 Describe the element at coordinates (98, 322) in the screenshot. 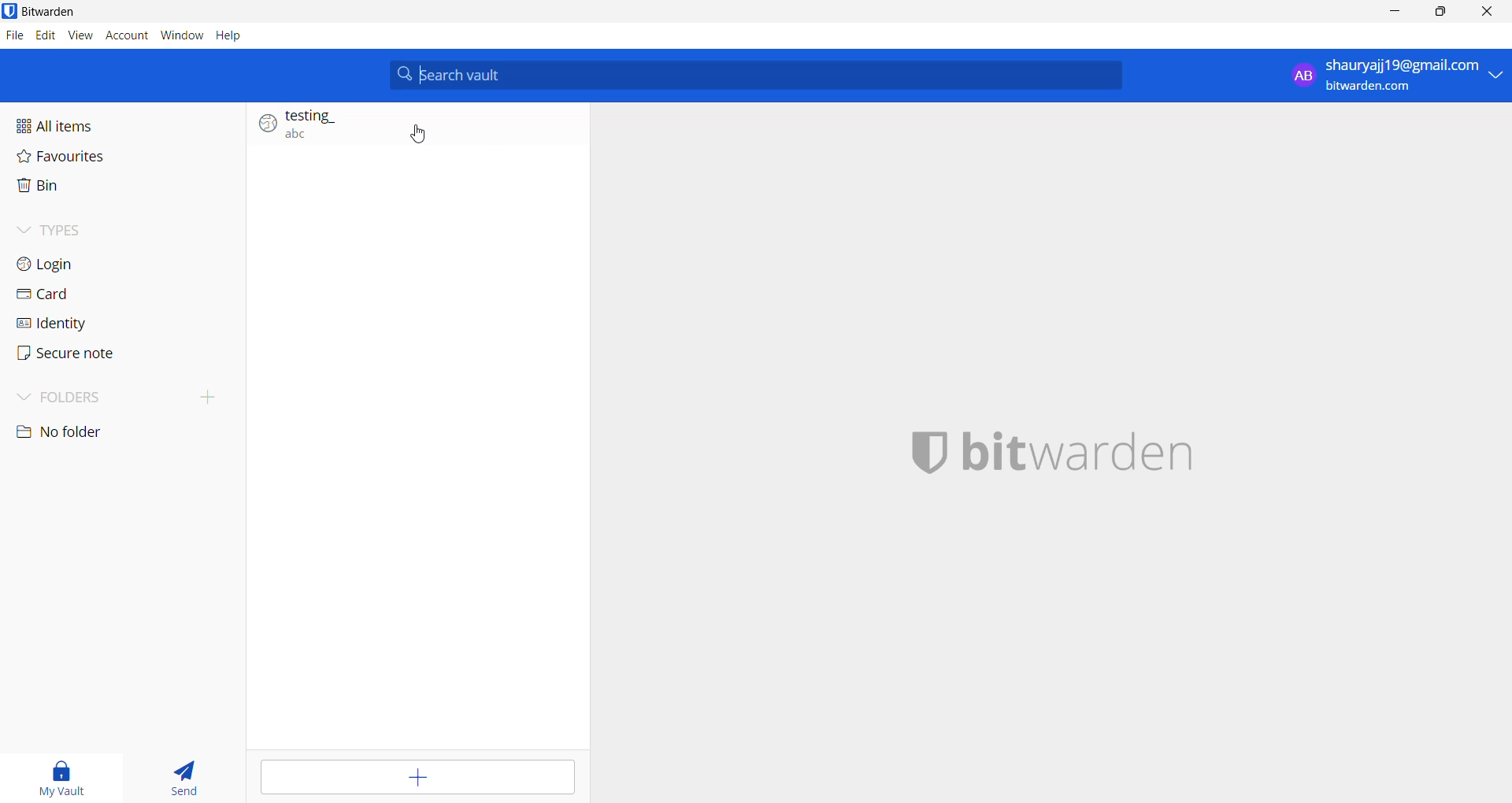

I see `Identity` at that location.